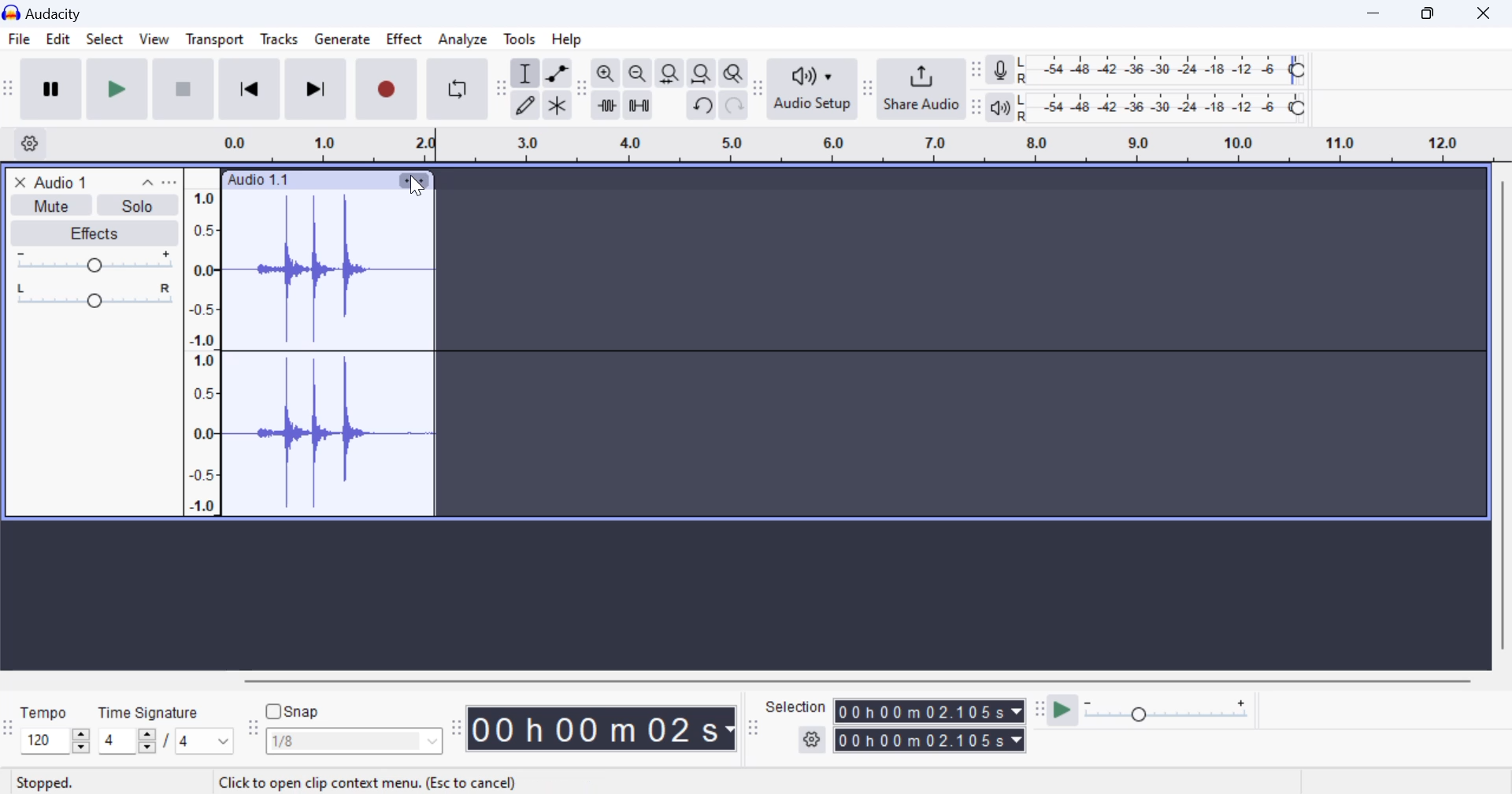  What do you see at coordinates (327, 354) in the screenshot?
I see `Audio Clip` at bounding box center [327, 354].